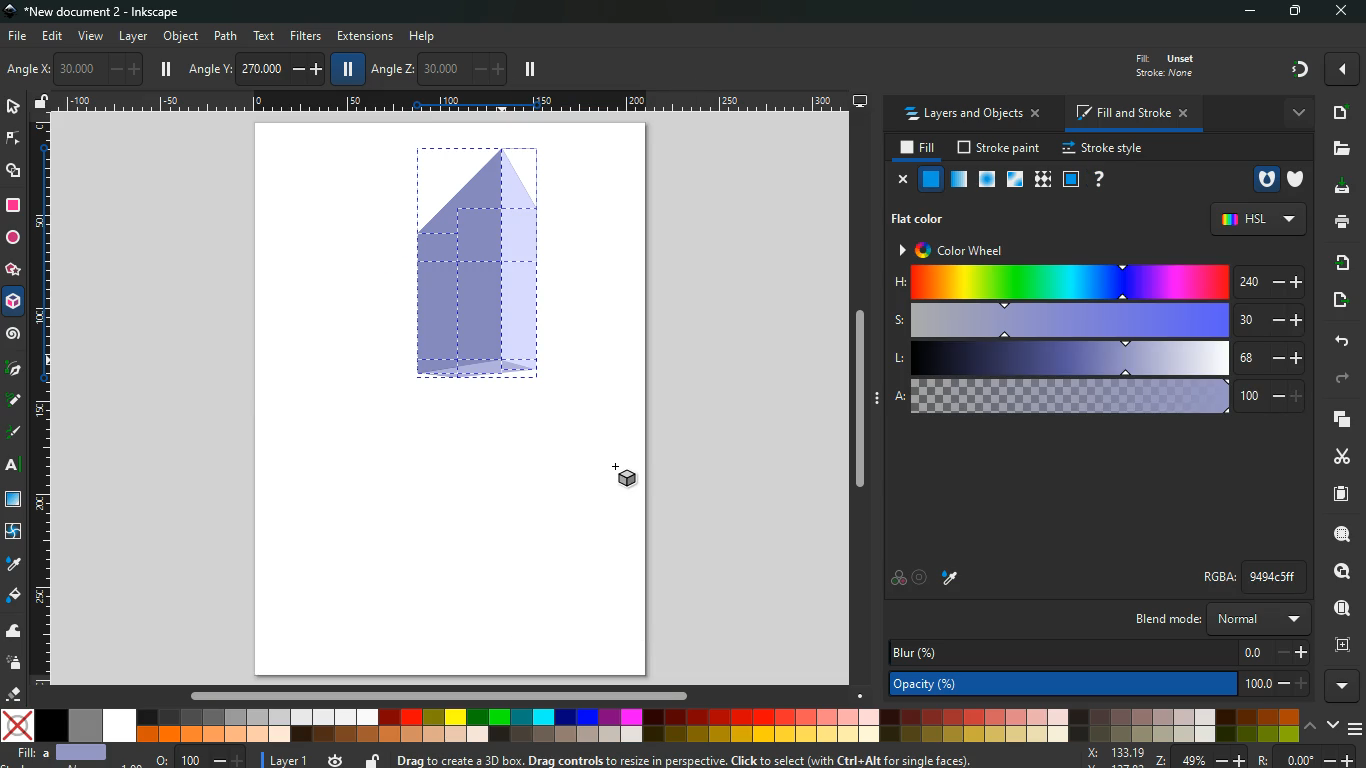 The width and height of the screenshot is (1366, 768). I want to click on more, so click(1345, 687).